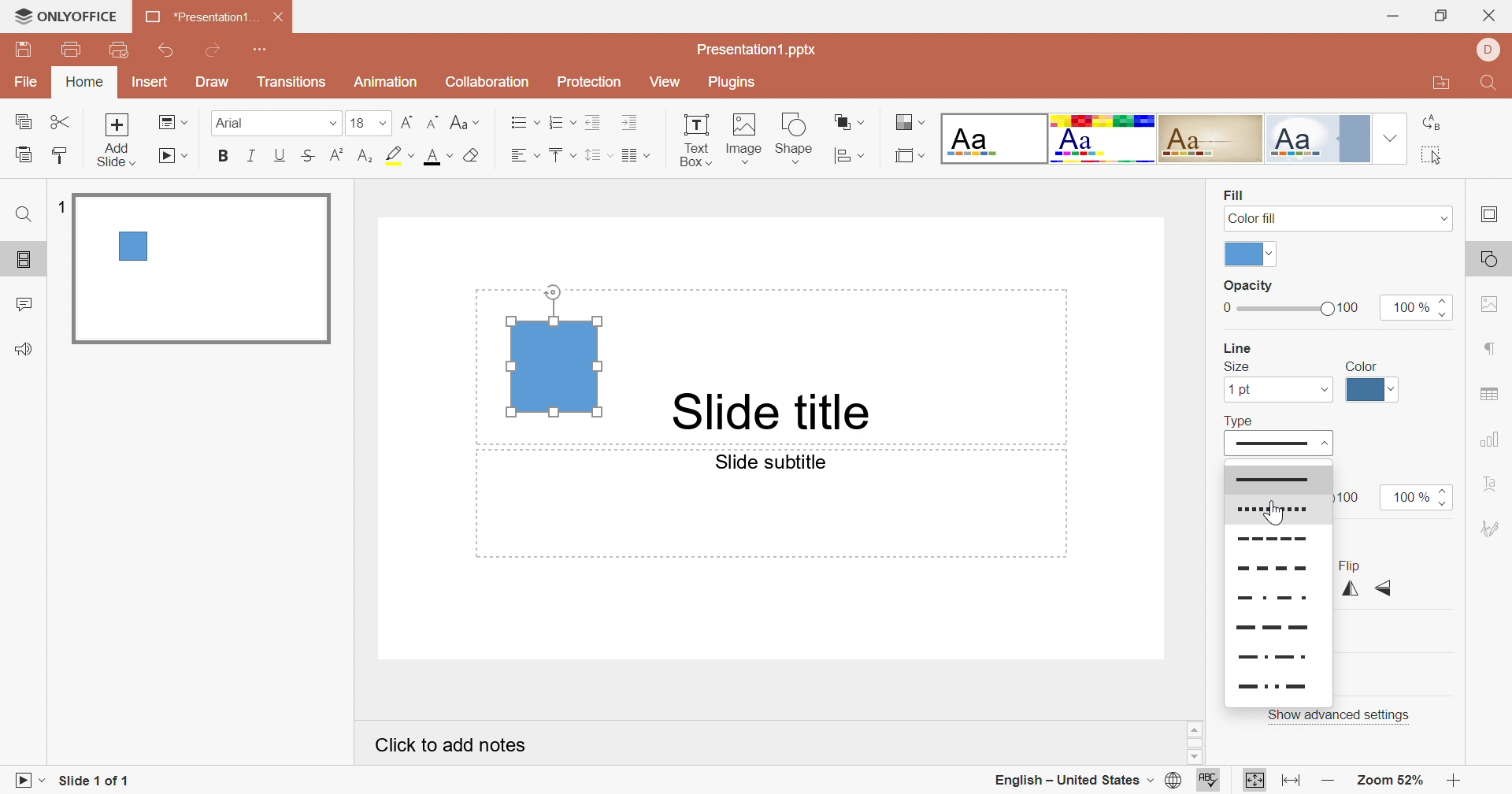  I want to click on 1 pt, so click(1239, 390).